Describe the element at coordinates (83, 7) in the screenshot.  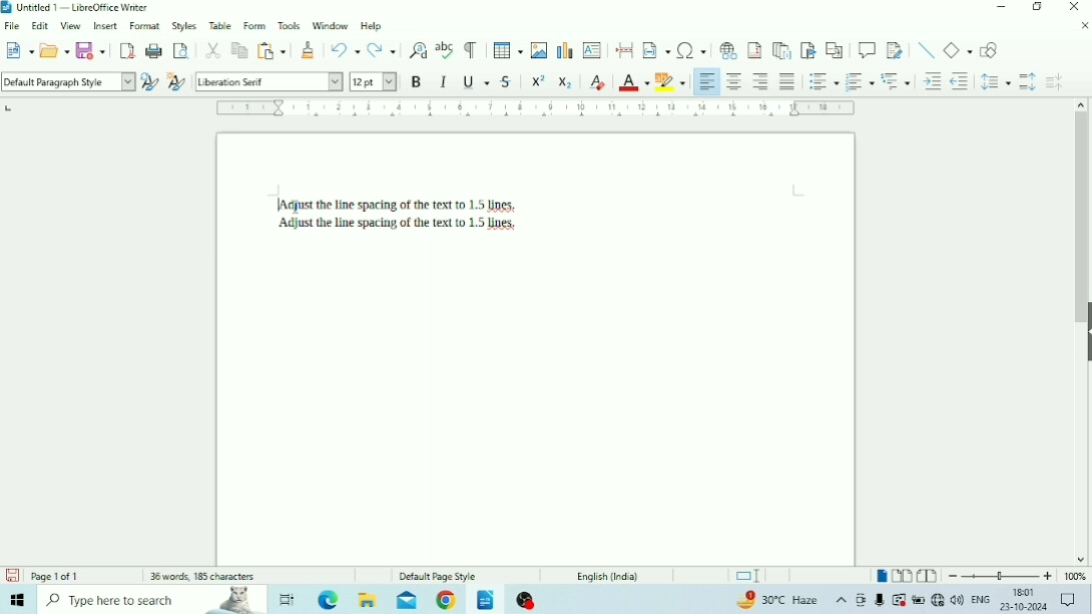
I see `Title` at that location.